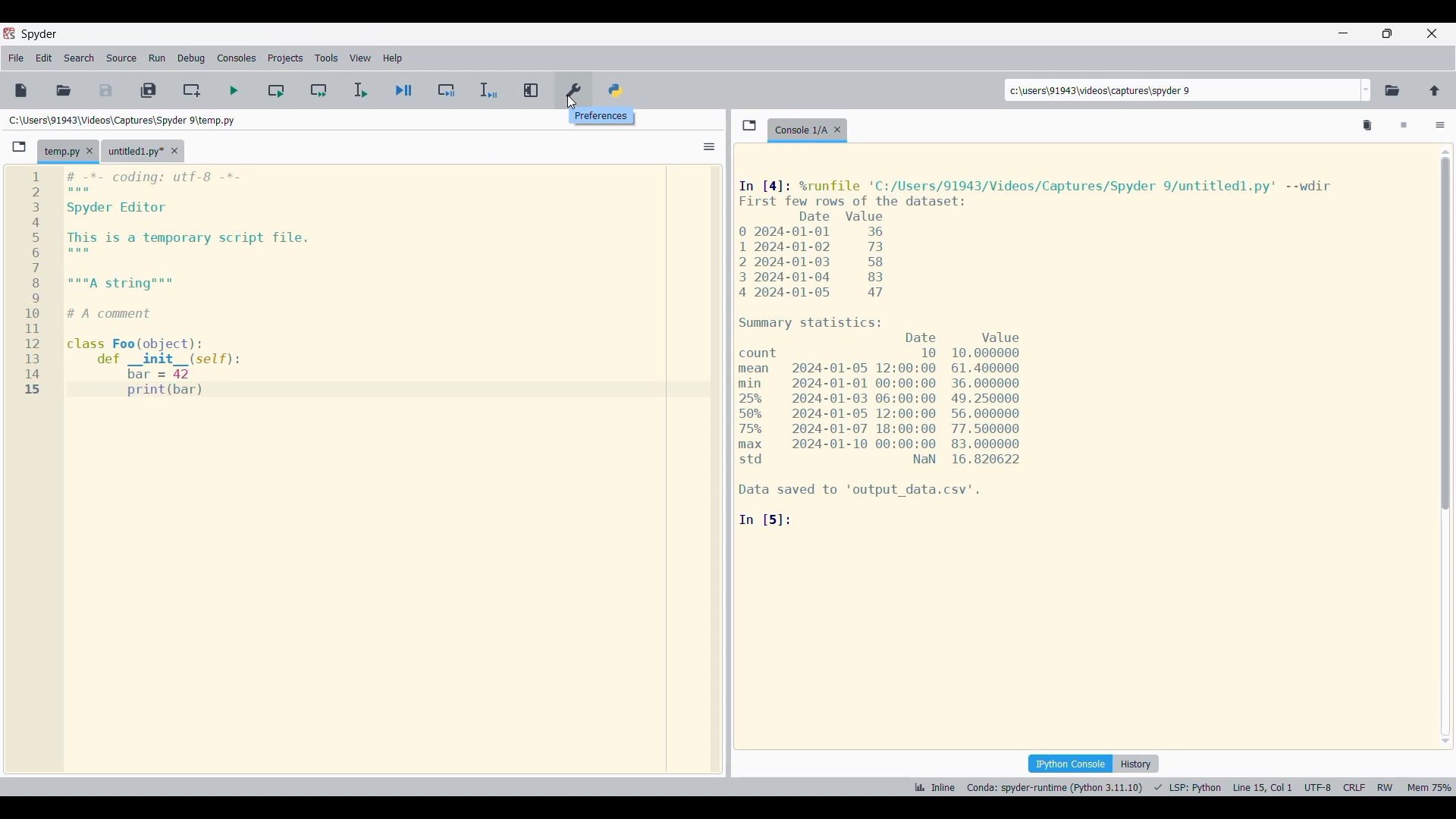 This screenshot has height=819, width=1456. What do you see at coordinates (1392, 91) in the screenshot?
I see `Browse a working directory` at bounding box center [1392, 91].